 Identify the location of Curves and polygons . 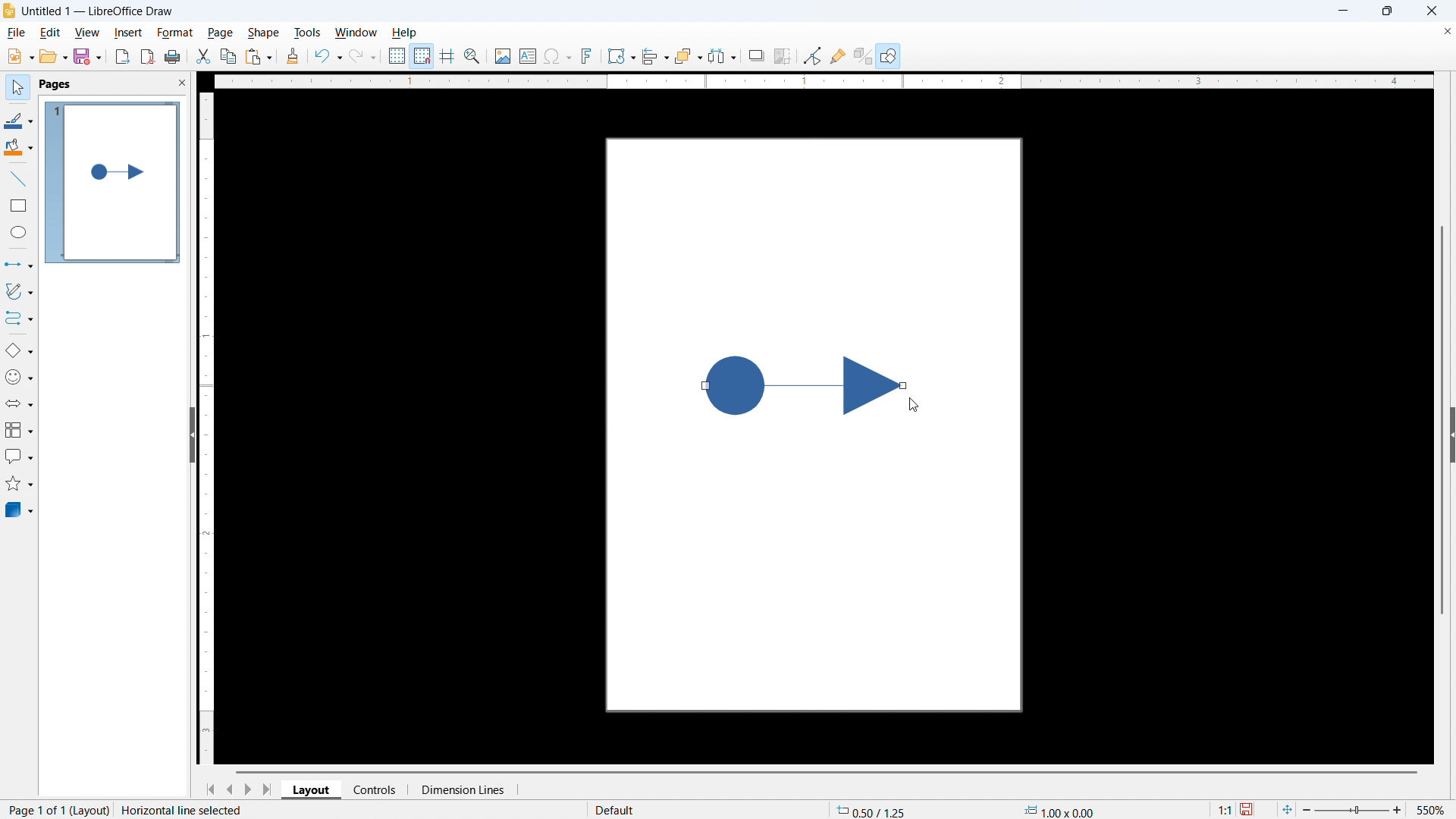
(19, 292).